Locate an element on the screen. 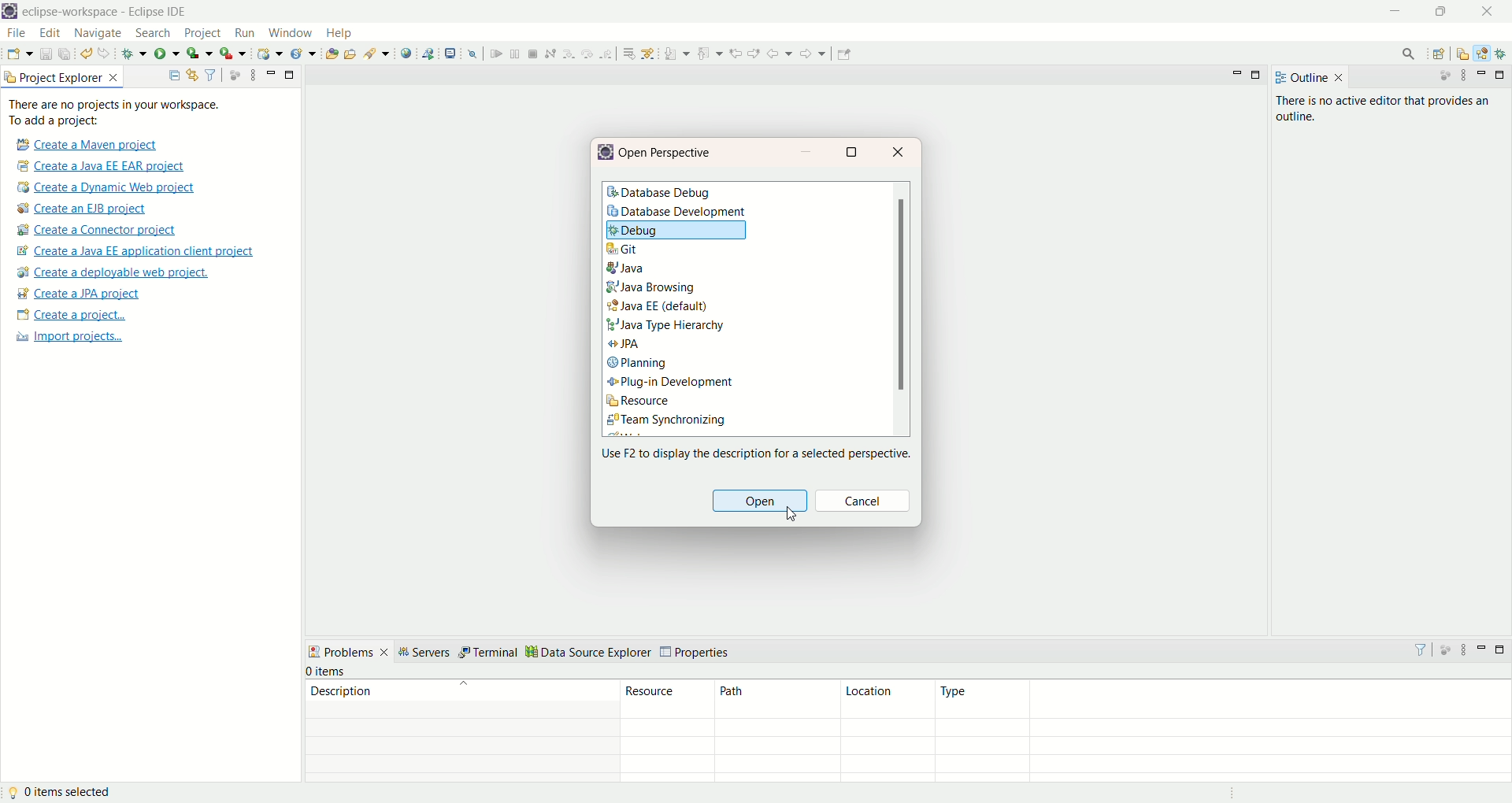 Image resolution: width=1512 pixels, height=803 pixels. problems is located at coordinates (350, 654).